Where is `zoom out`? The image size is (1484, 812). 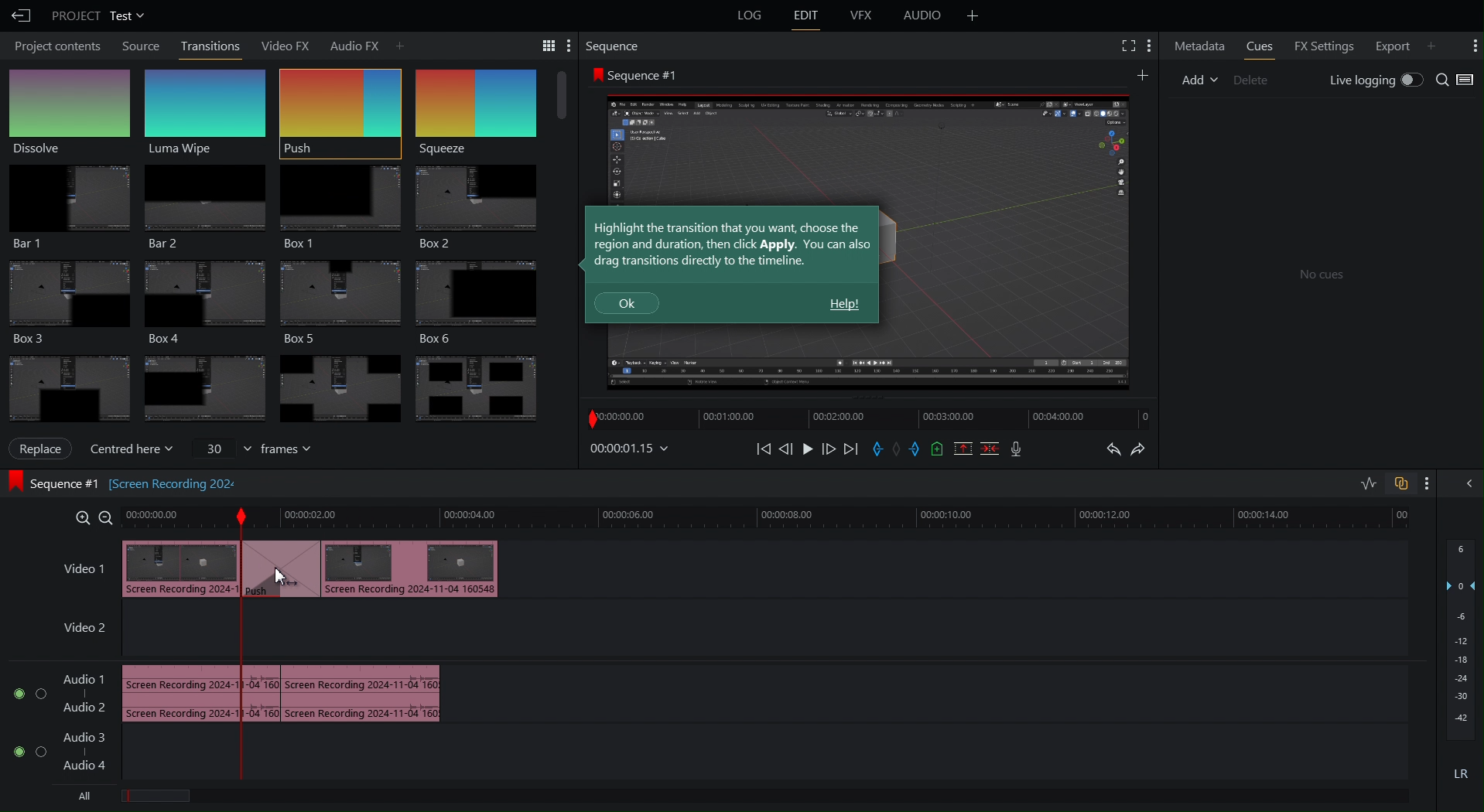 zoom out is located at coordinates (106, 517).